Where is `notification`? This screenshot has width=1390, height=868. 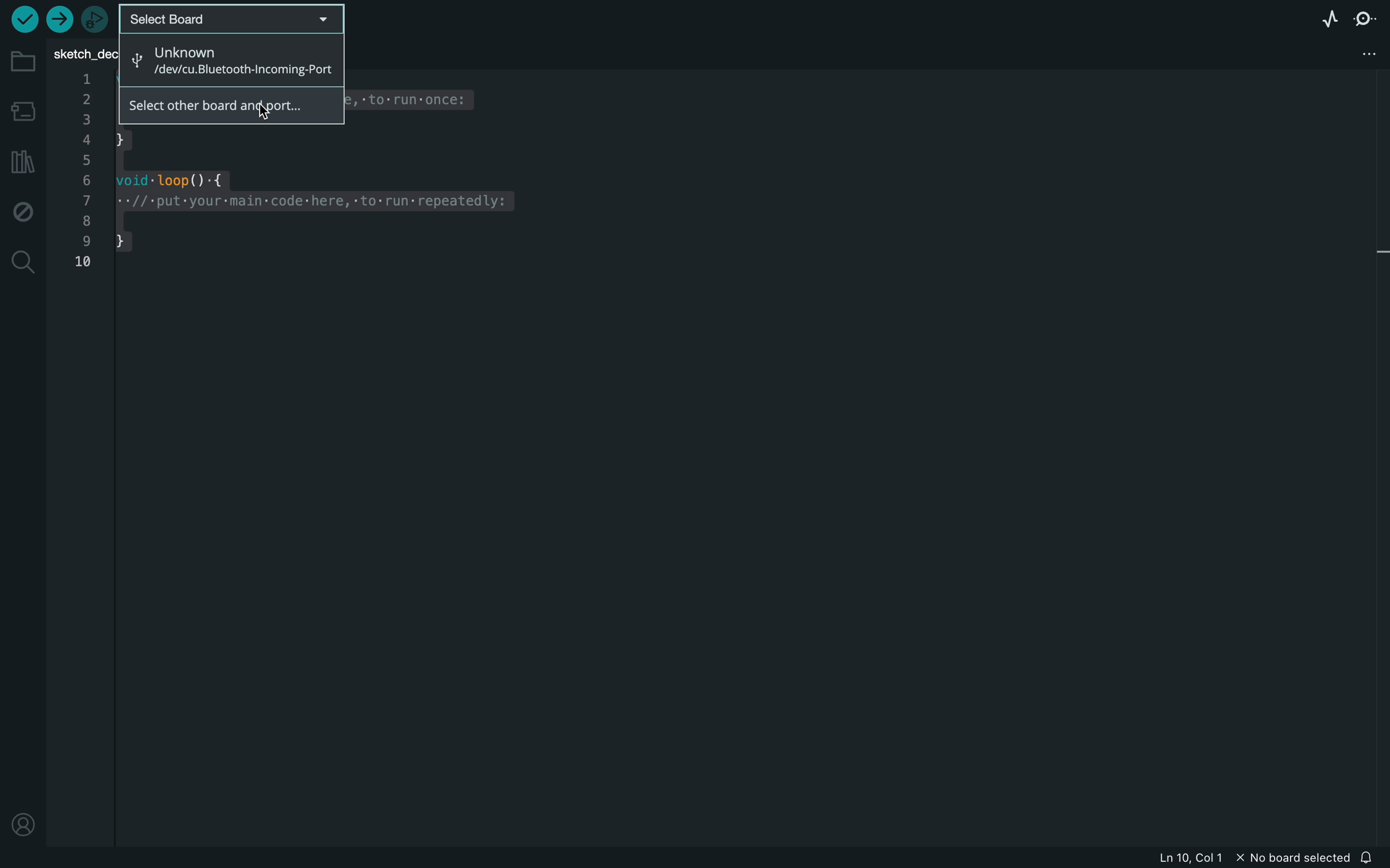 notification is located at coordinates (1372, 856).